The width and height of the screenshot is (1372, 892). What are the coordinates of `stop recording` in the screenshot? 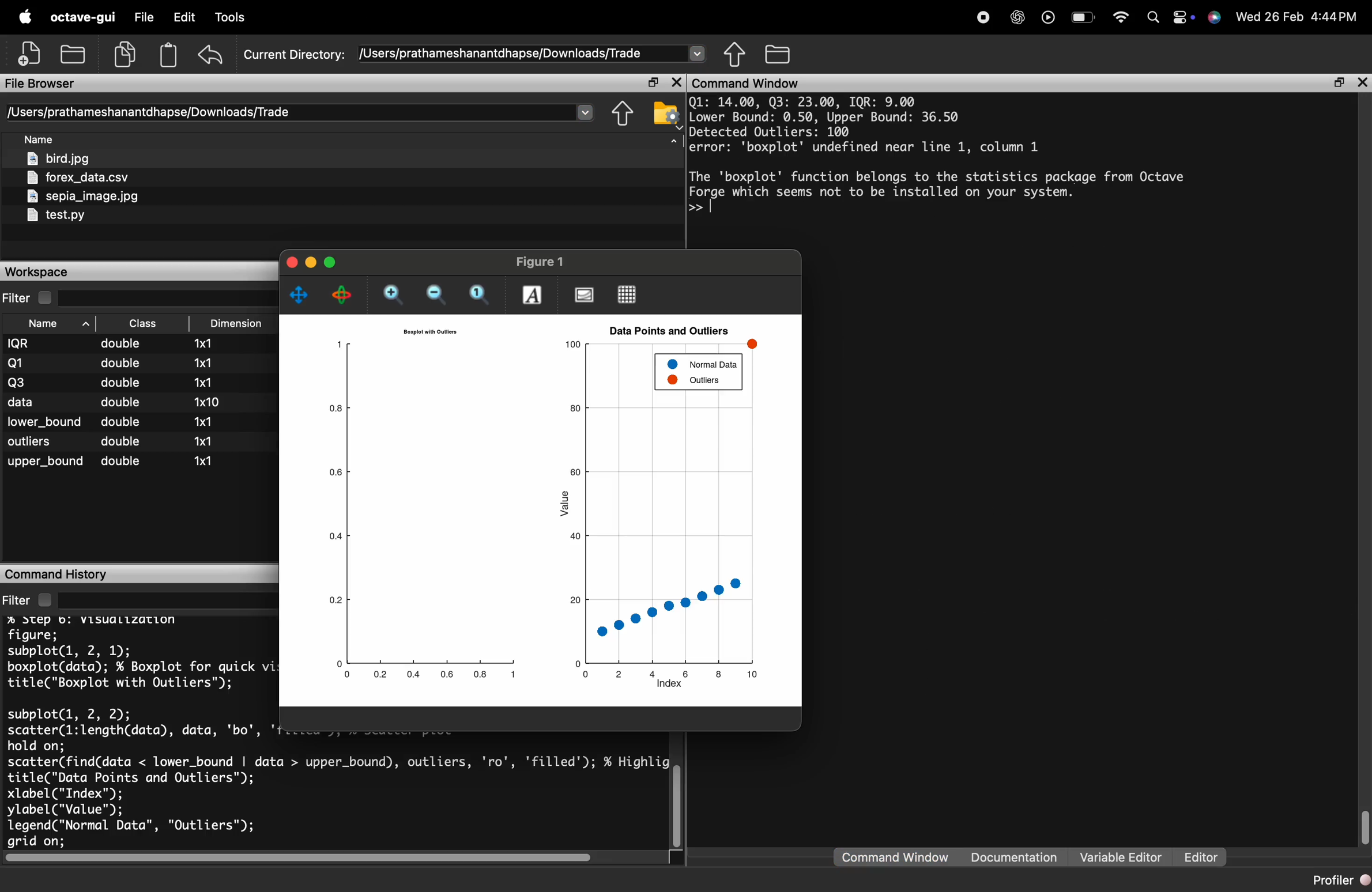 It's located at (984, 19).